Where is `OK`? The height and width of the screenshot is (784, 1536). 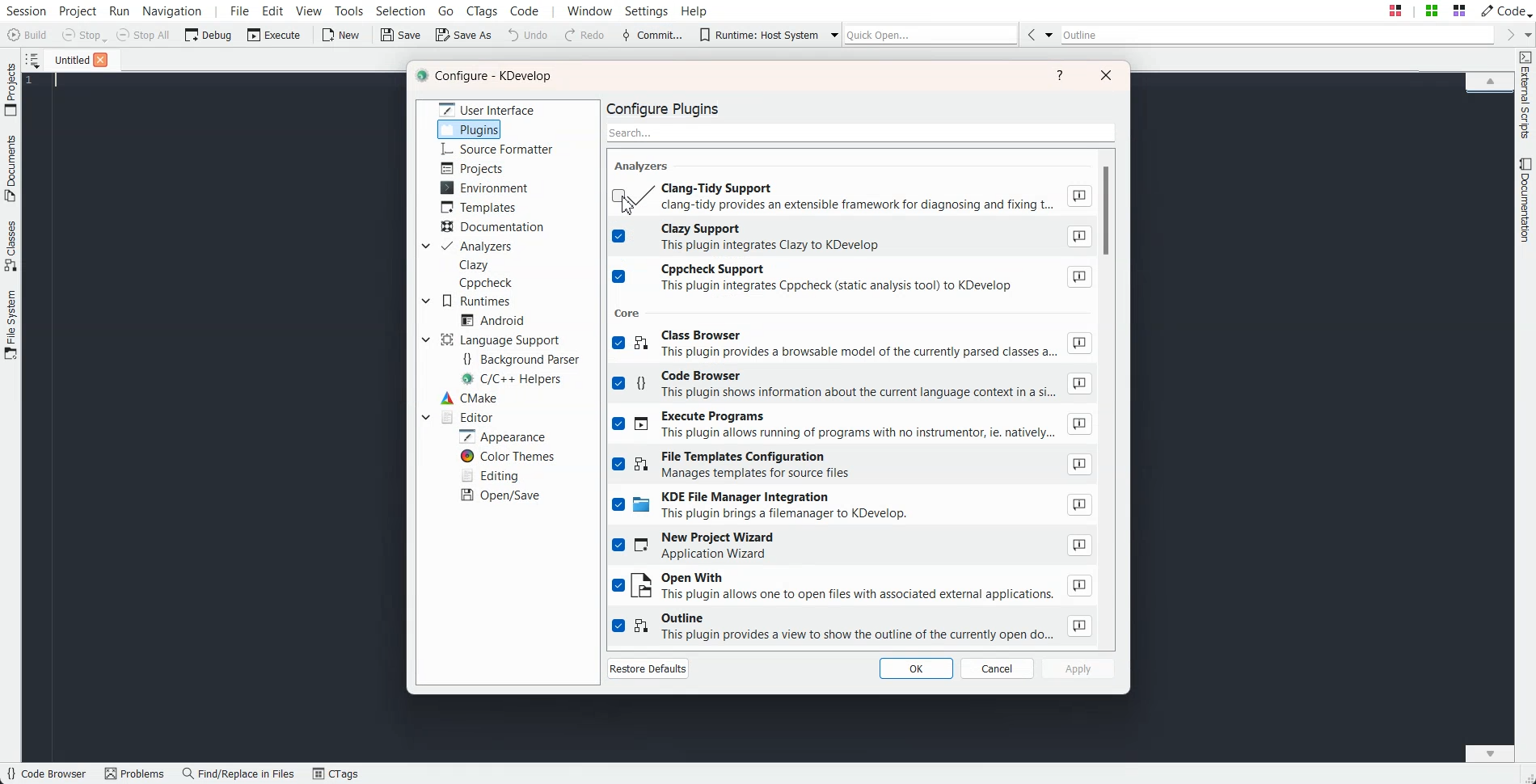
OK is located at coordinates (915, 668).